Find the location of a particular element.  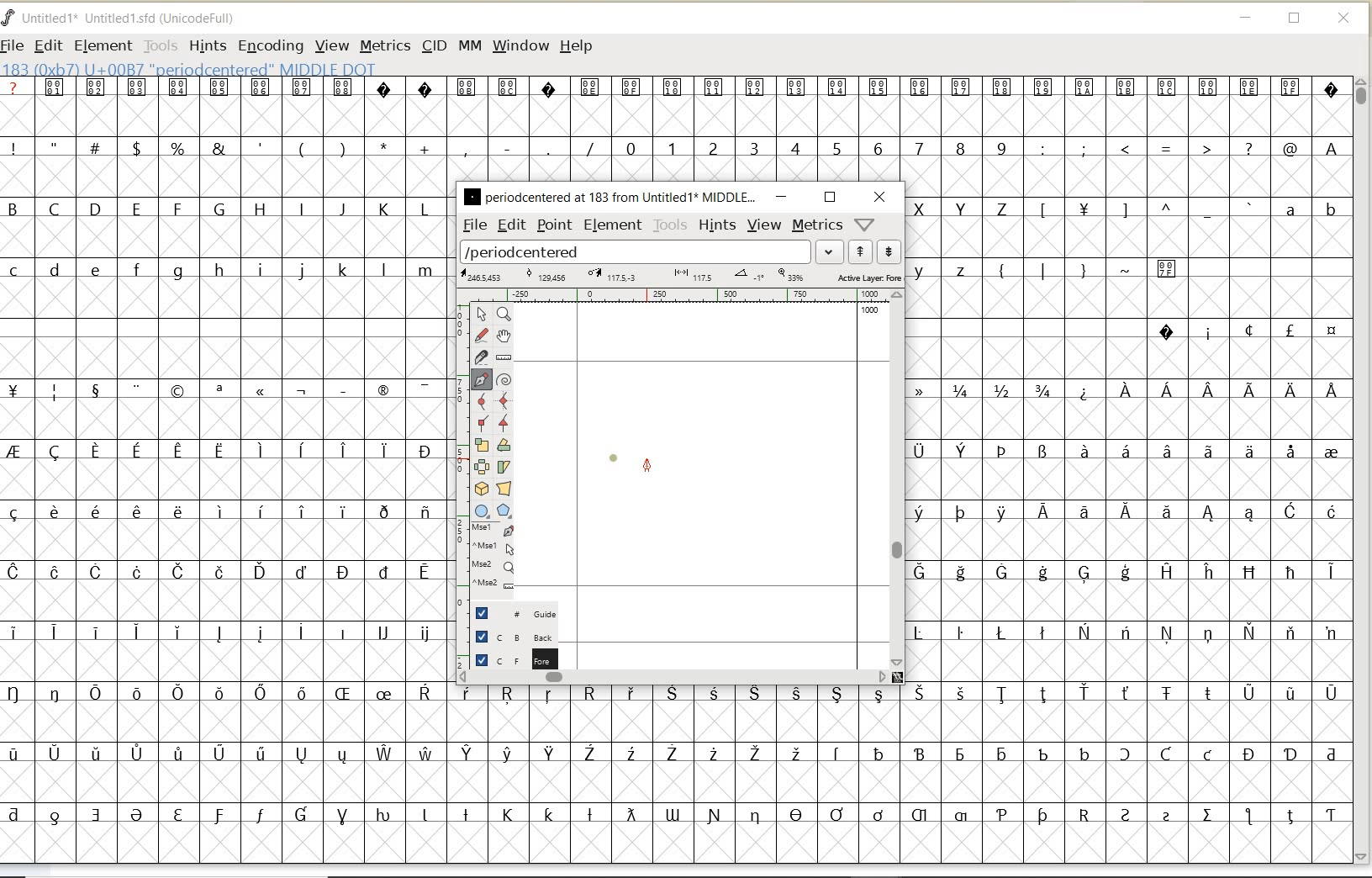

feltpen tool/cursor location is located at coordinates (646, 468).